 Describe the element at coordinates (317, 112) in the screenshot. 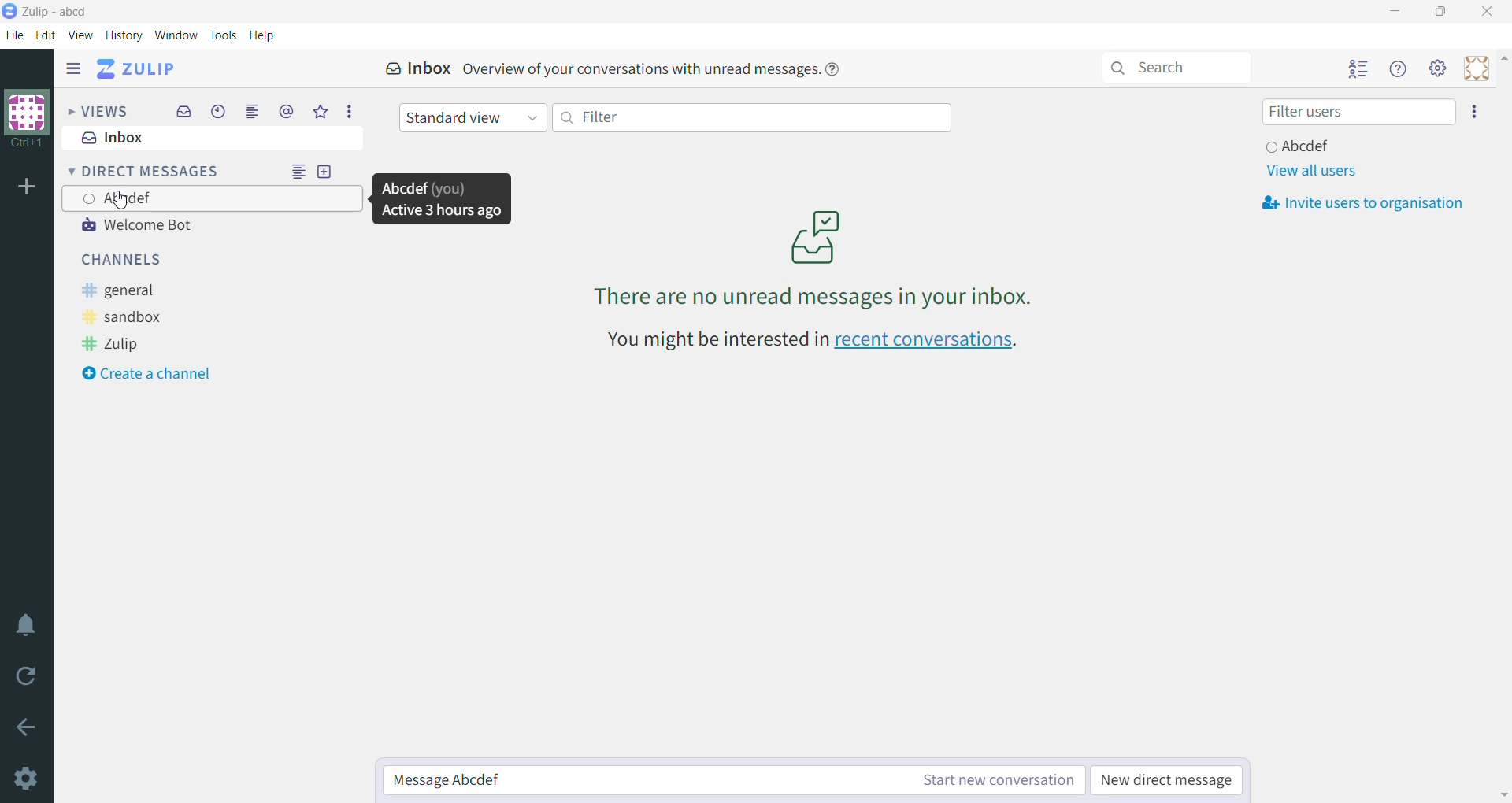

I see `Starred Messages` at that location.